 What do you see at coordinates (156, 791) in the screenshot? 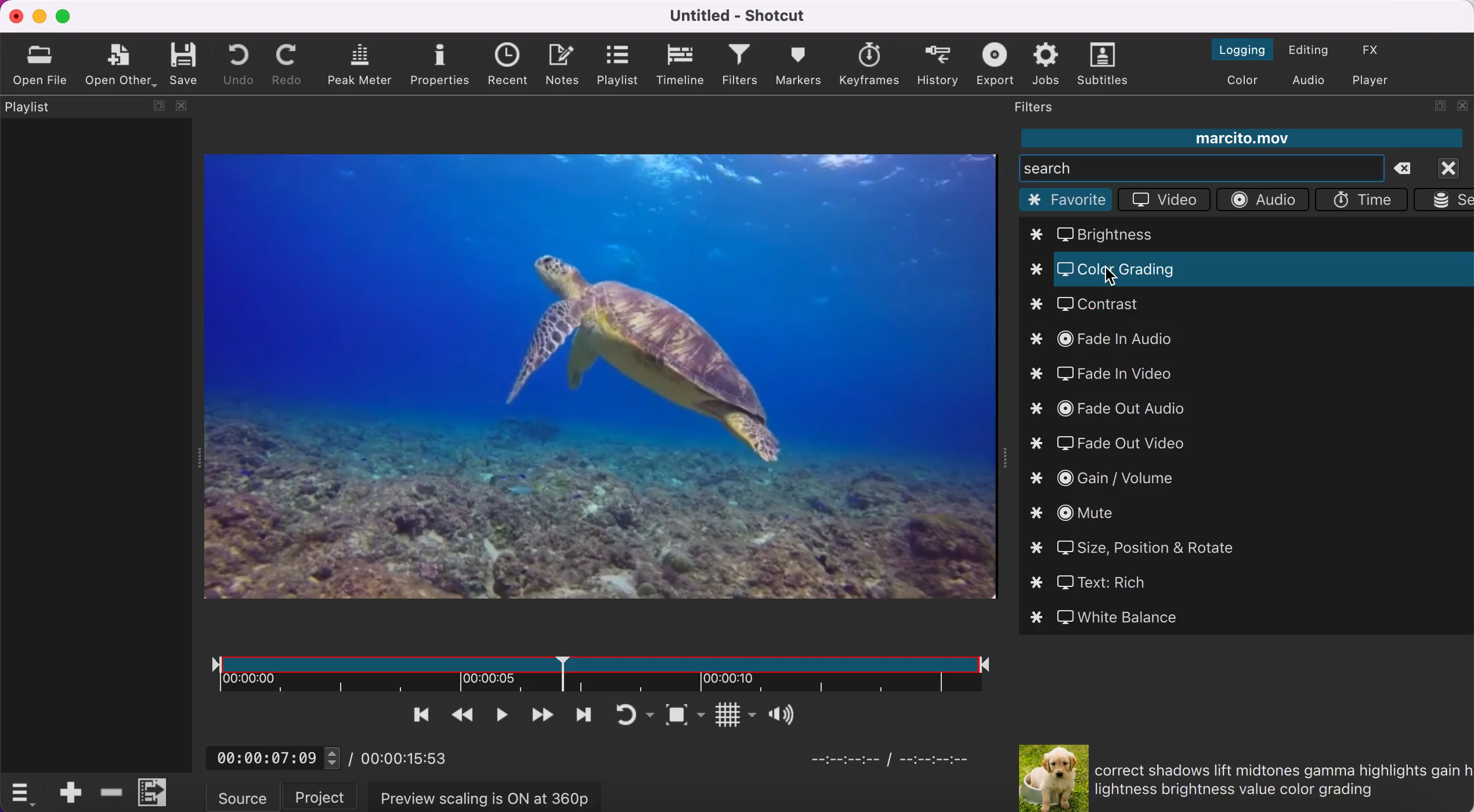
I see `menu` at bounding box center [156, 791].